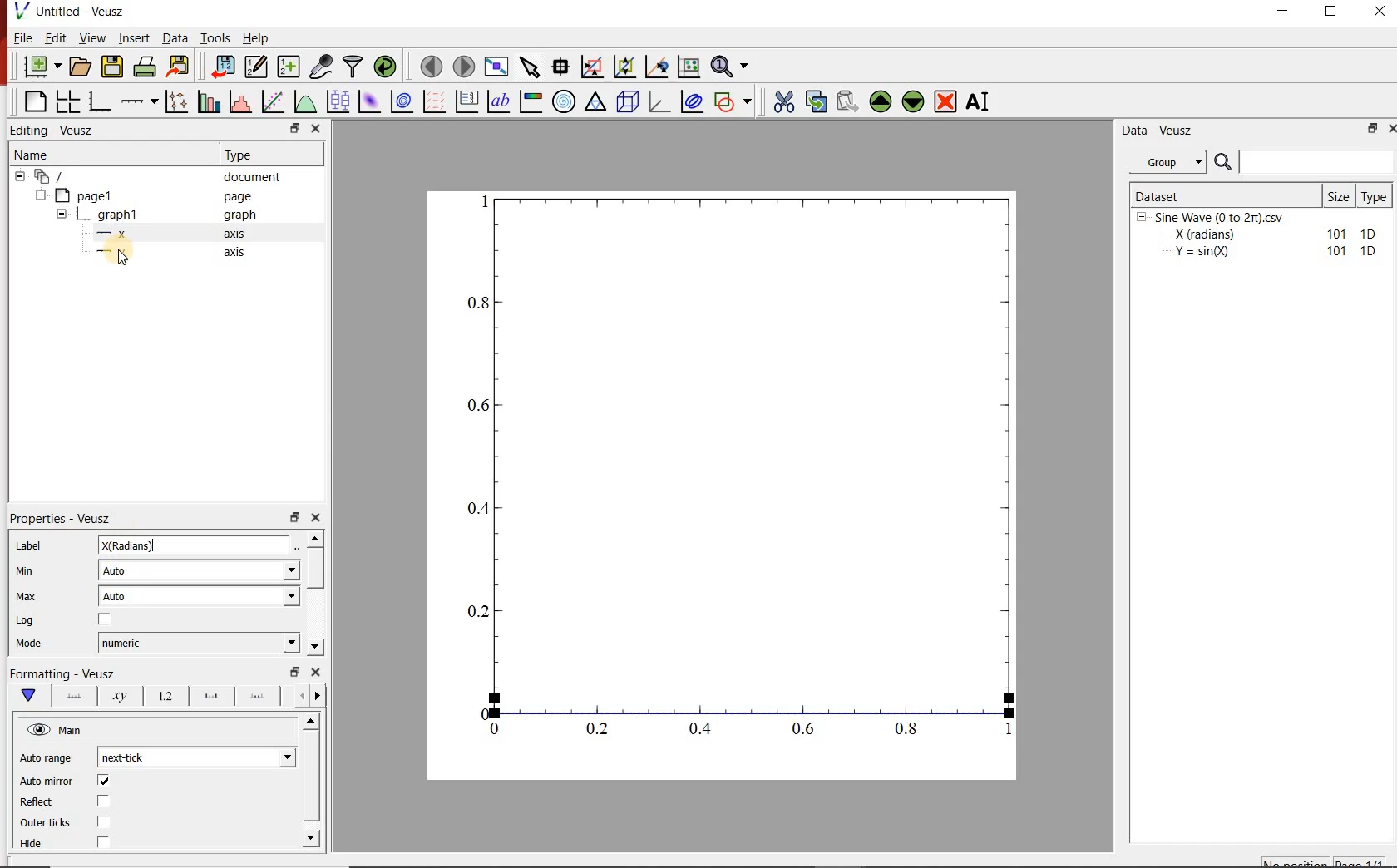  Describe the element at coordinates (45, 822) in the screenshot. I see `Outer ticks` at that location.